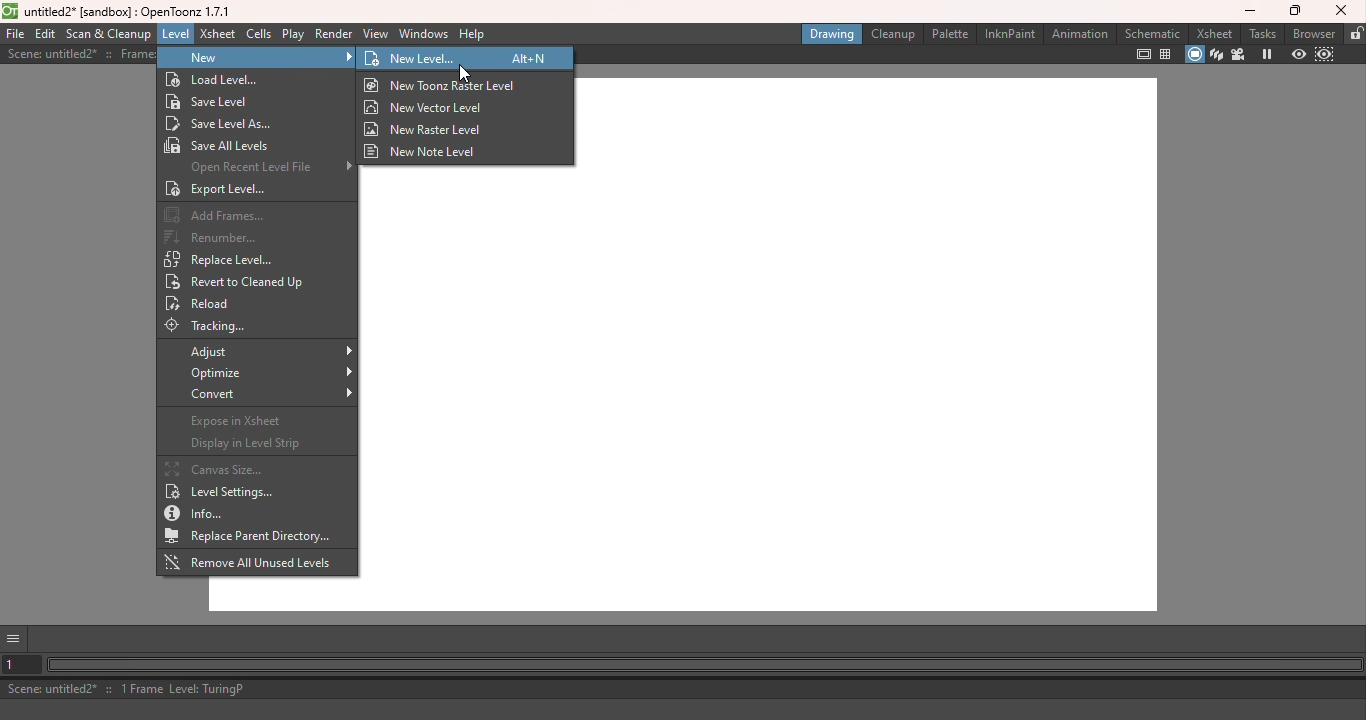  I want to click on New toonz raster, so click(445, 86).